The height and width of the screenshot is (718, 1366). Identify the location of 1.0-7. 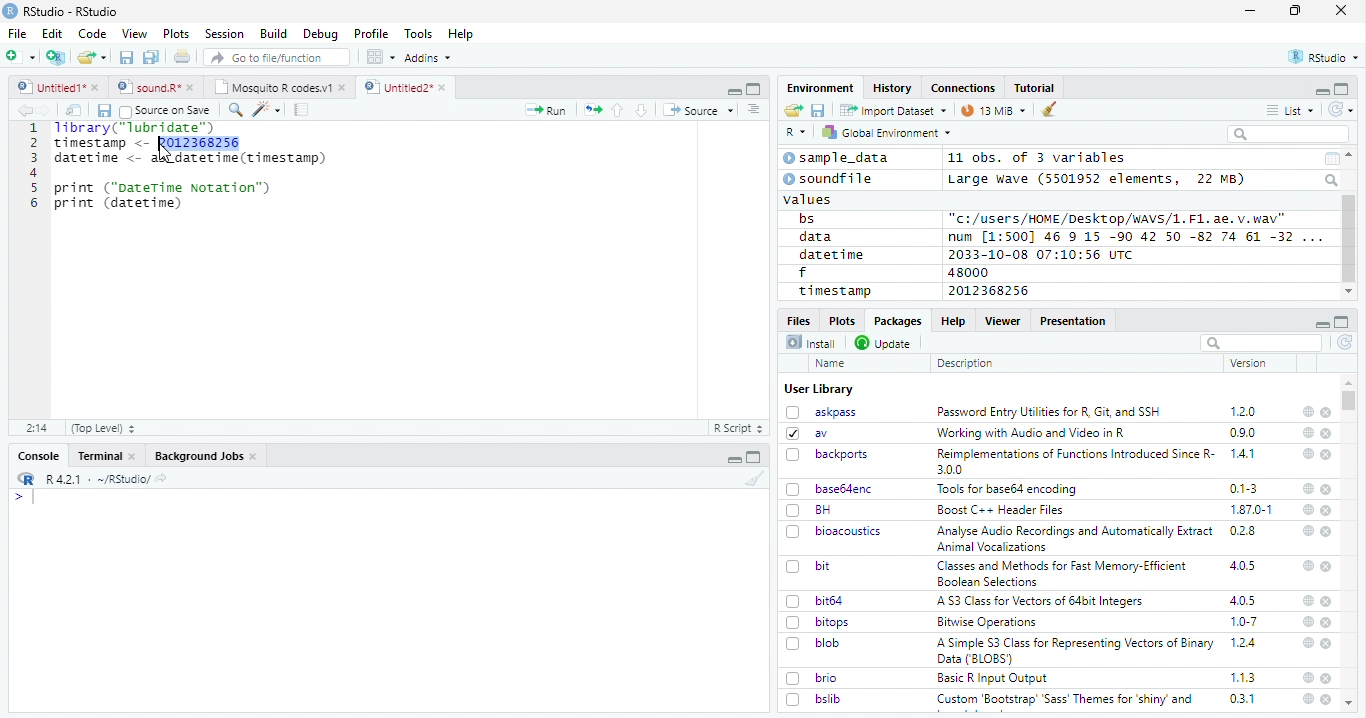
(1245, 622).